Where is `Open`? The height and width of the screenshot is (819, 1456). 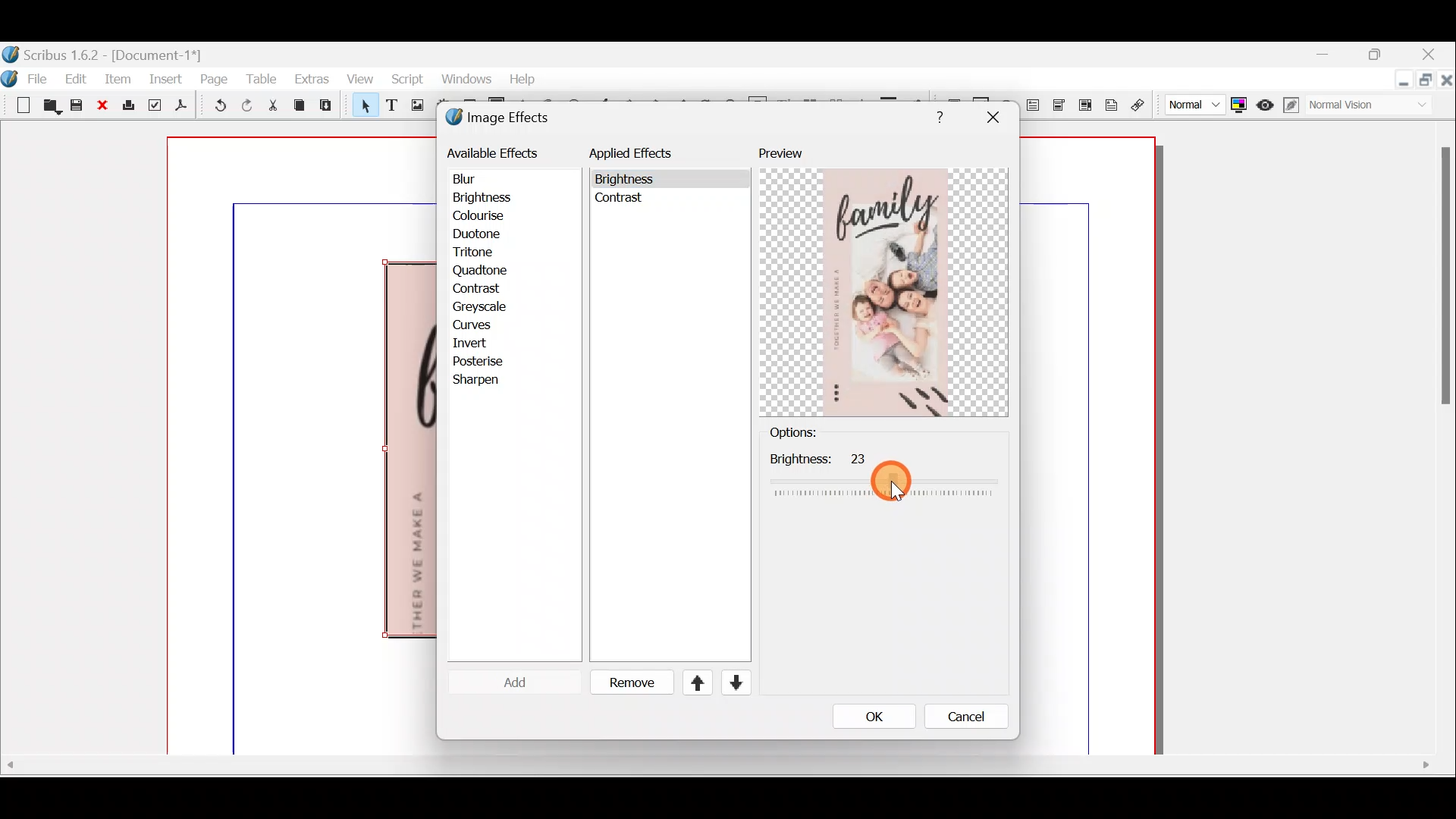
Open is located at coordinates (49, 108).